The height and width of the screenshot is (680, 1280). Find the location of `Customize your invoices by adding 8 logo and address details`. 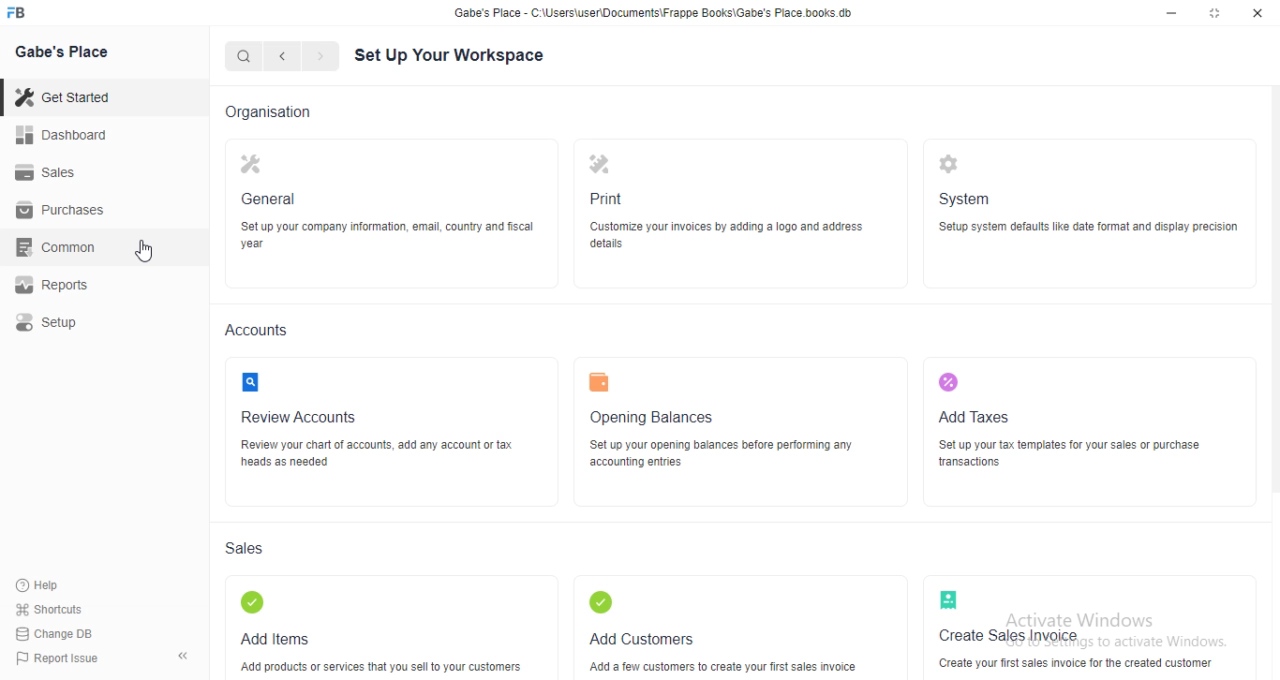

Customize your invoices by adding 8 logo and address details is located at coordinates (728, 236).